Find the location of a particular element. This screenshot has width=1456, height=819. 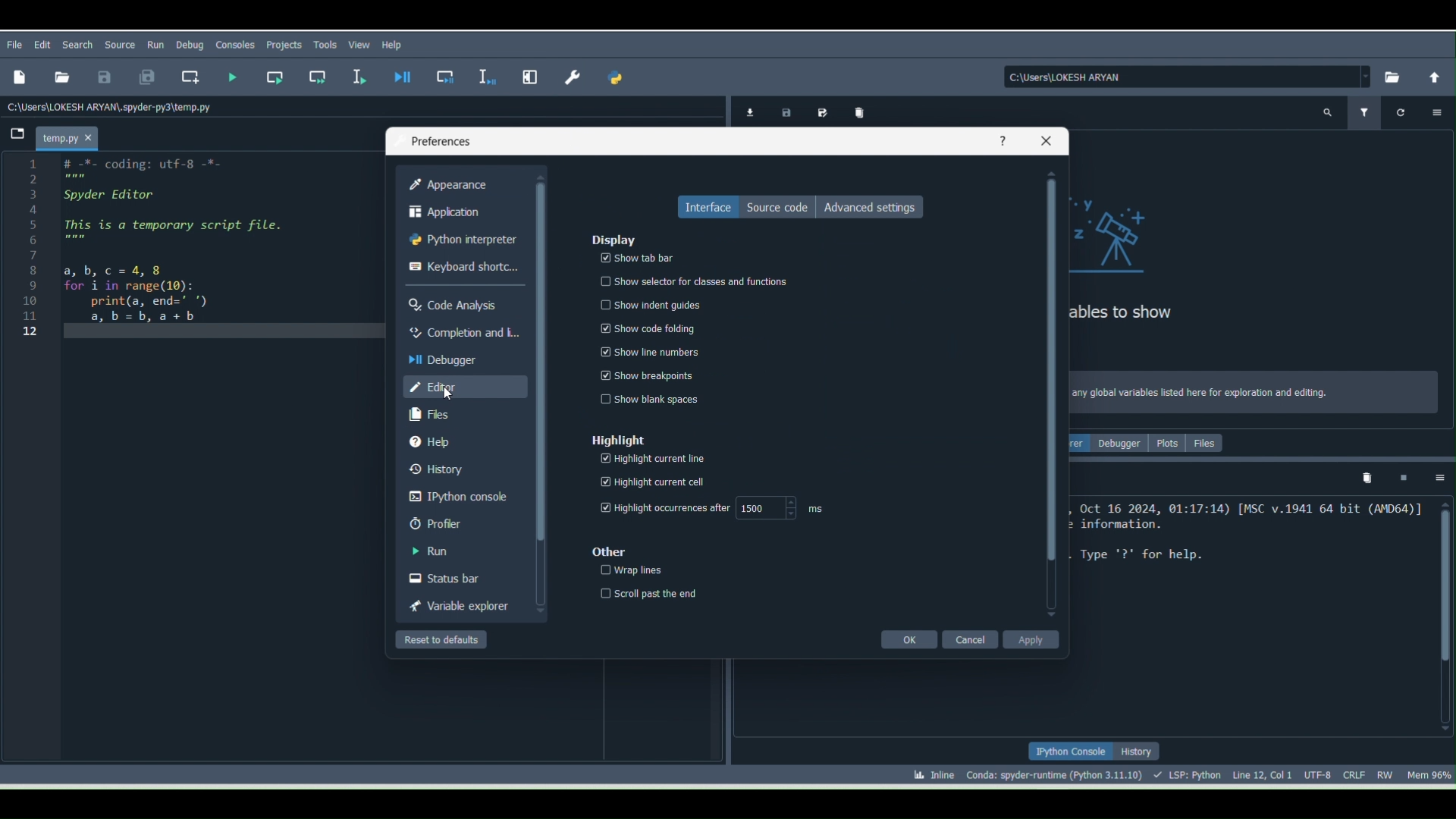

Cursor position is located at coordinates (1262, 773).